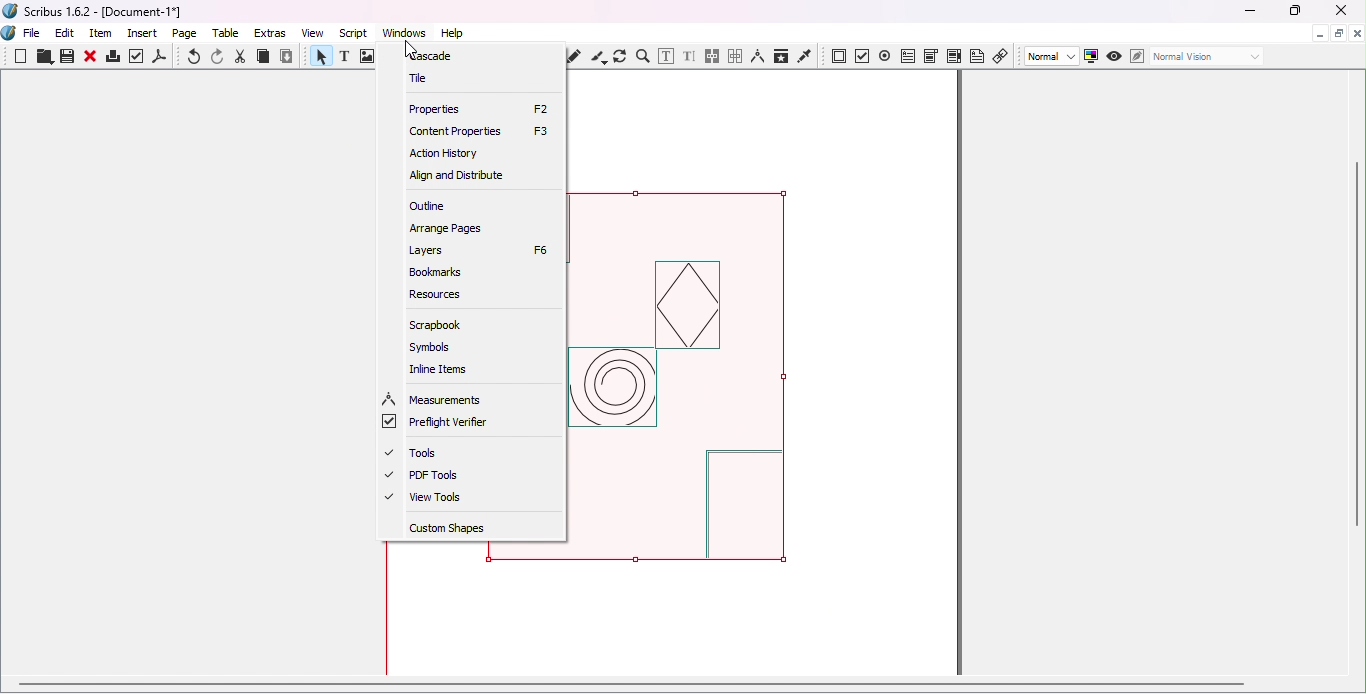  Describe the element at coordinates (317, 32) in the screenshot. I see `View` at that location.